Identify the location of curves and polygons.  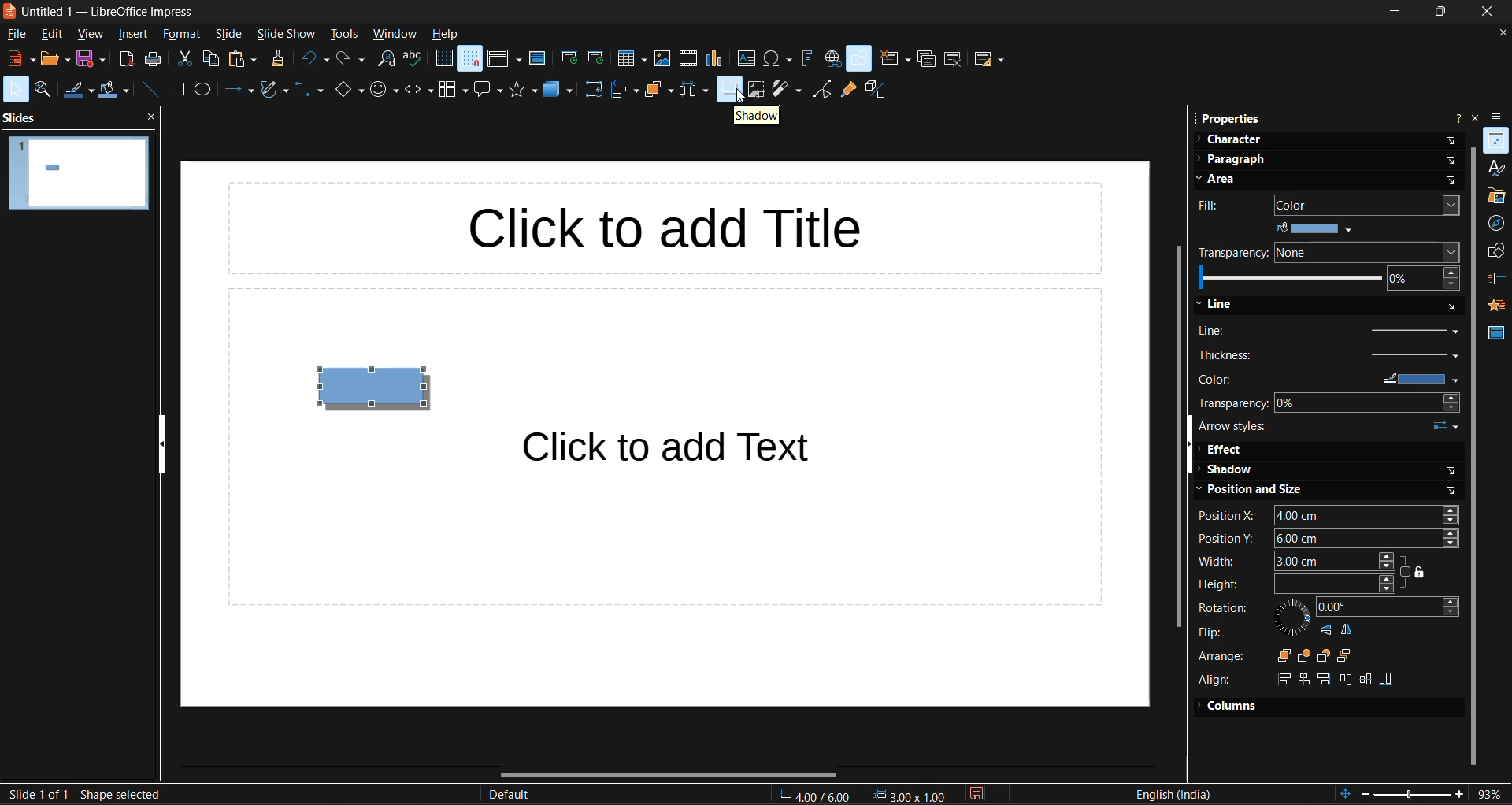
(272, 90).